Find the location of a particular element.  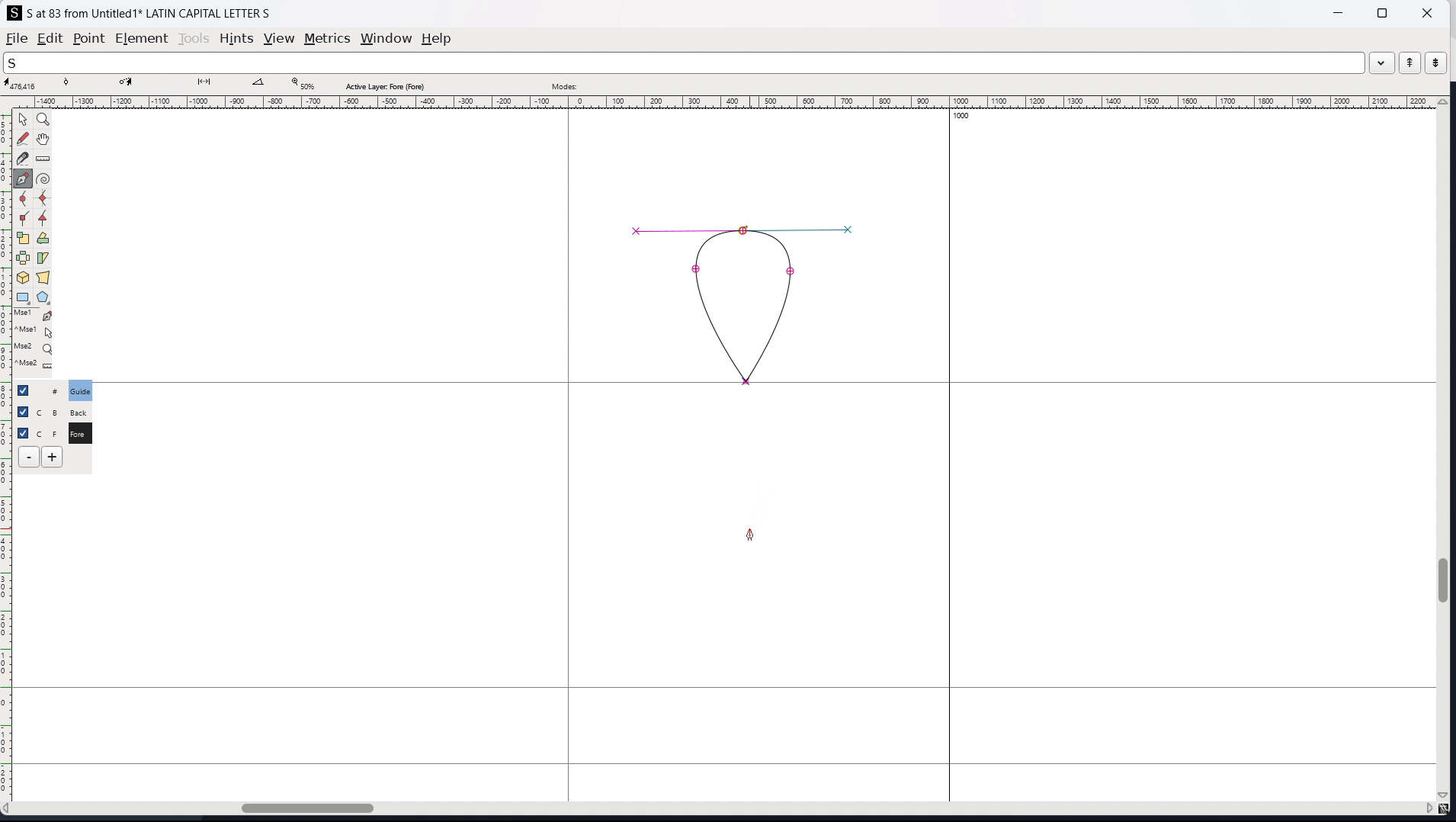

C B Back is located at coordinates (78, 410).